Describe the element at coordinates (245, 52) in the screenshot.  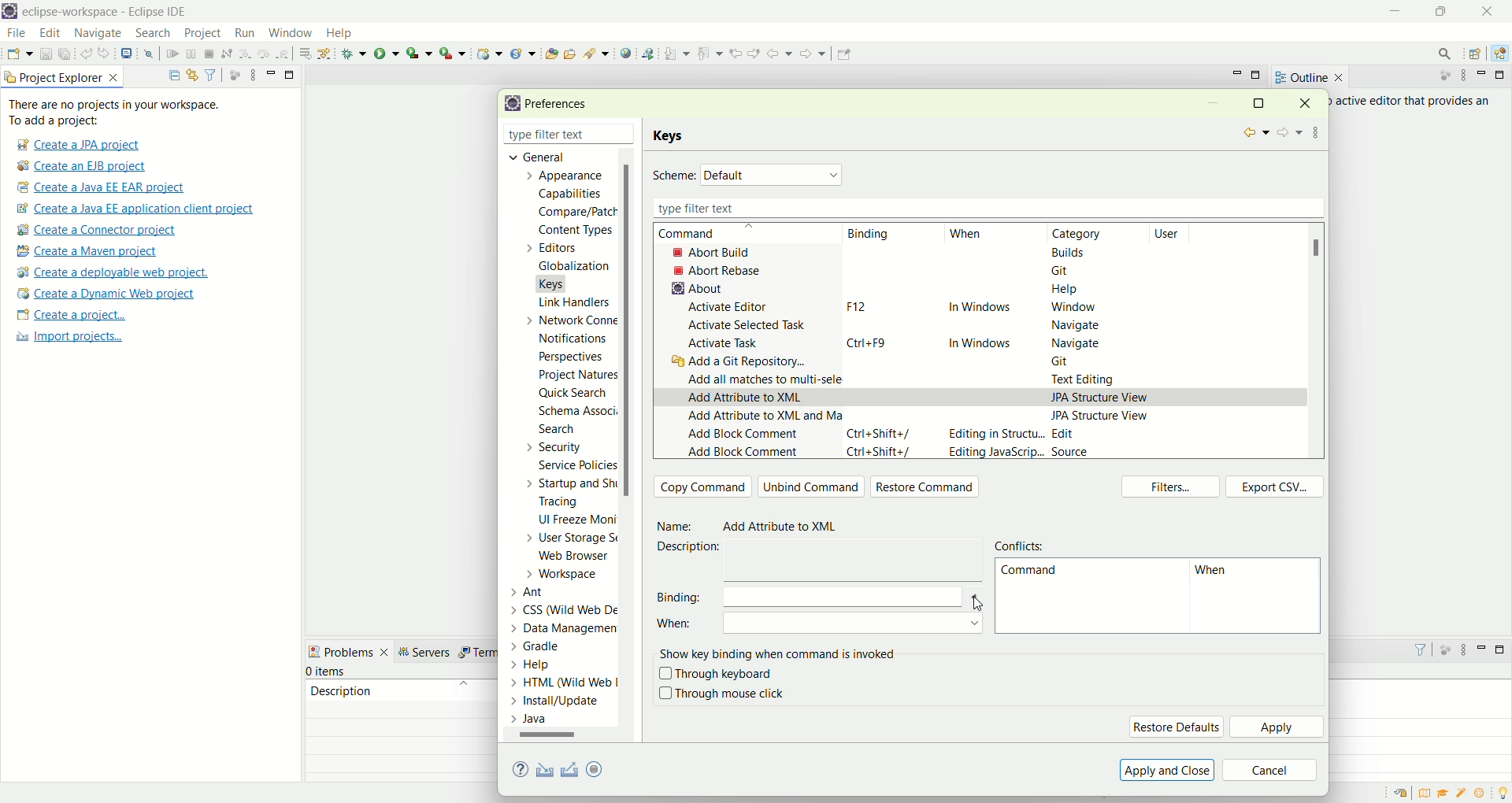
I see `step into` at that location.